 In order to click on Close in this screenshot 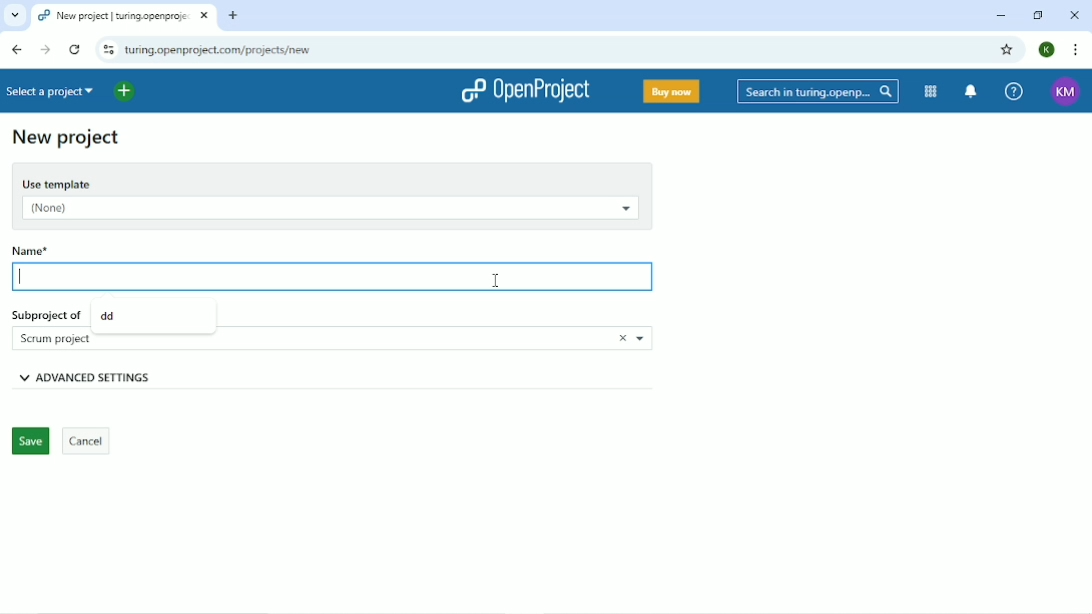, I will do `click(1074, 14)`.